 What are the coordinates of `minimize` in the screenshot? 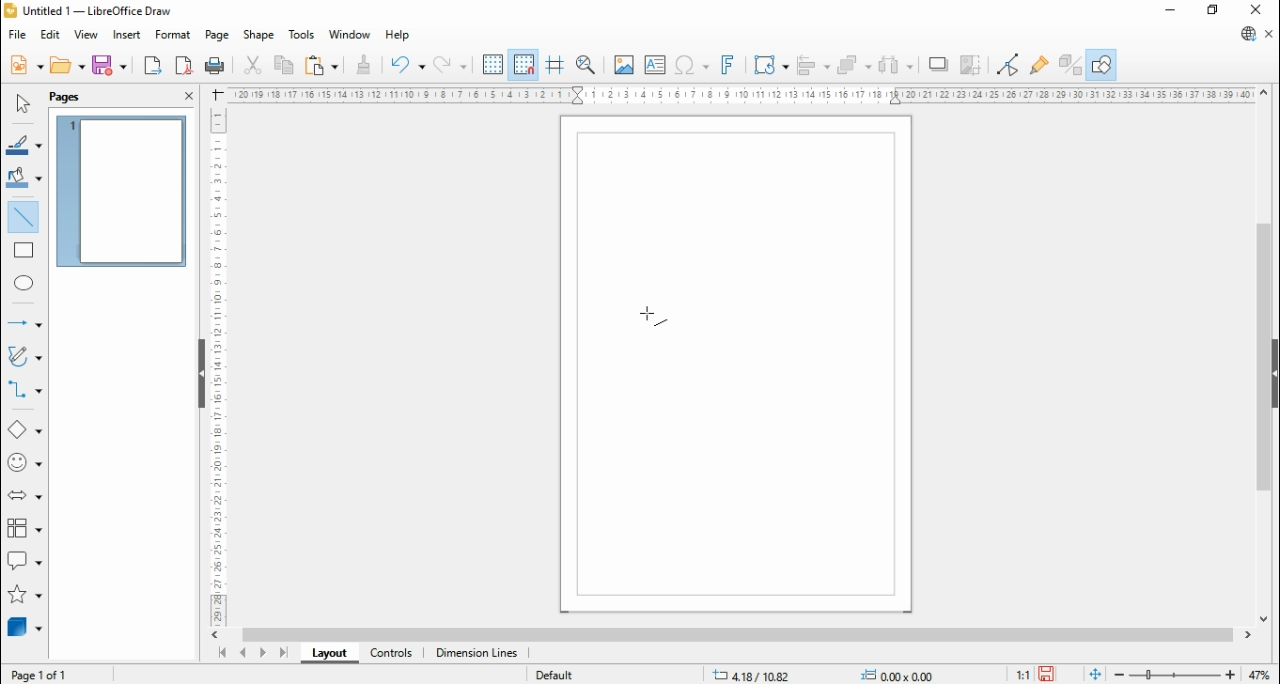 It's located at (1171, 12).